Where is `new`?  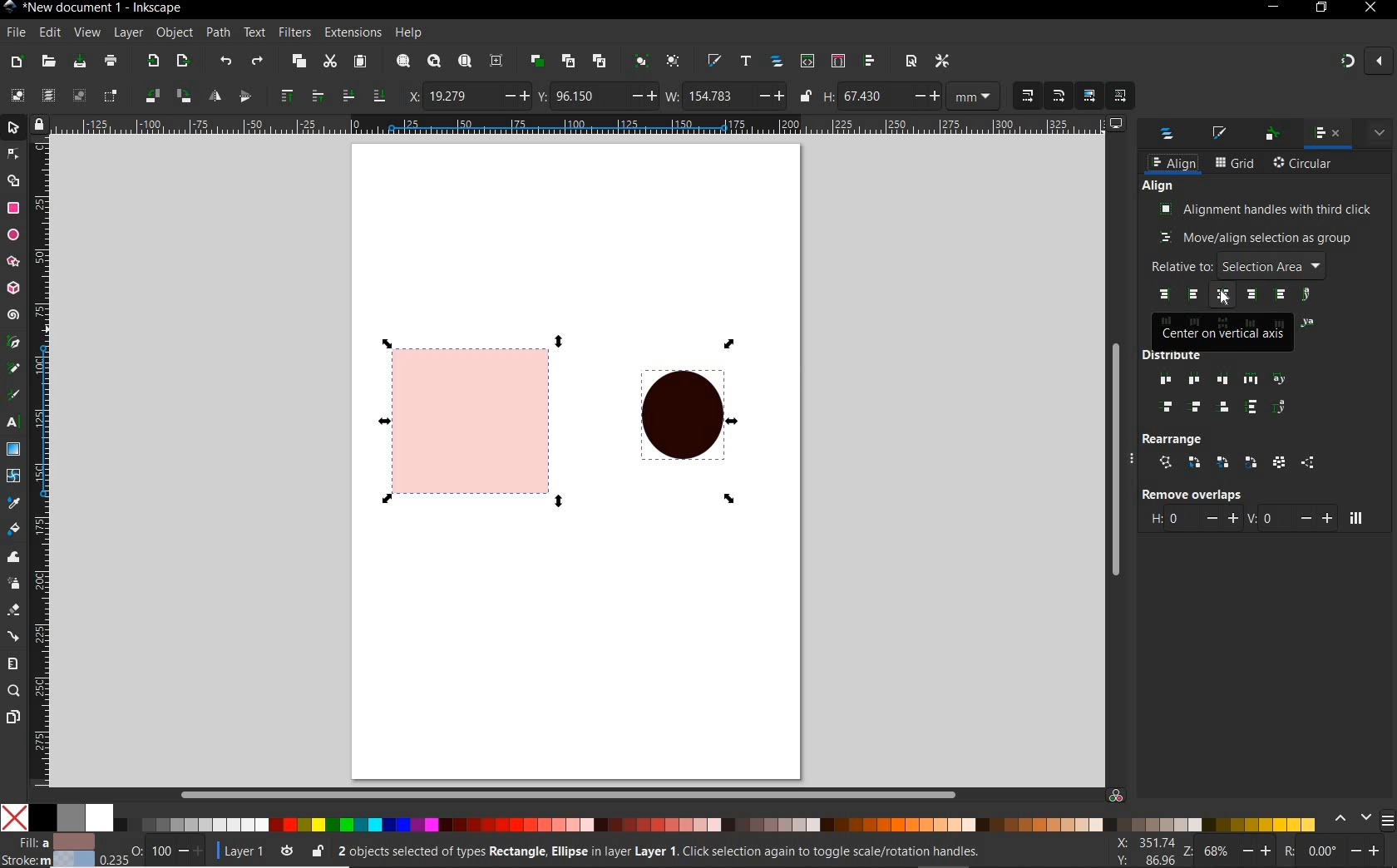
new is located at coordinates (17, 63).